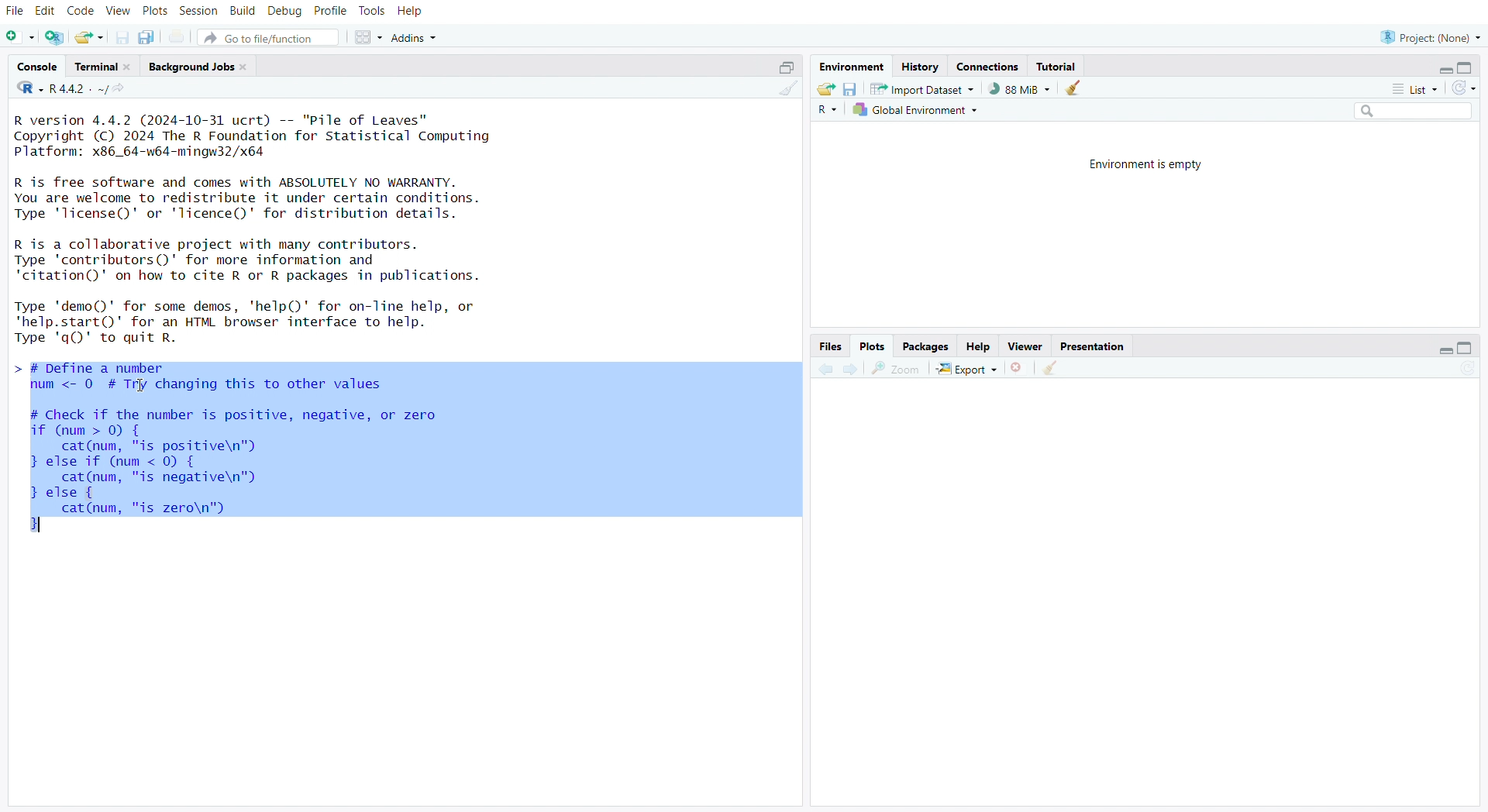  Describe the element at coordinates (897, 369) in the screenshot. I see `zoom` at that location.